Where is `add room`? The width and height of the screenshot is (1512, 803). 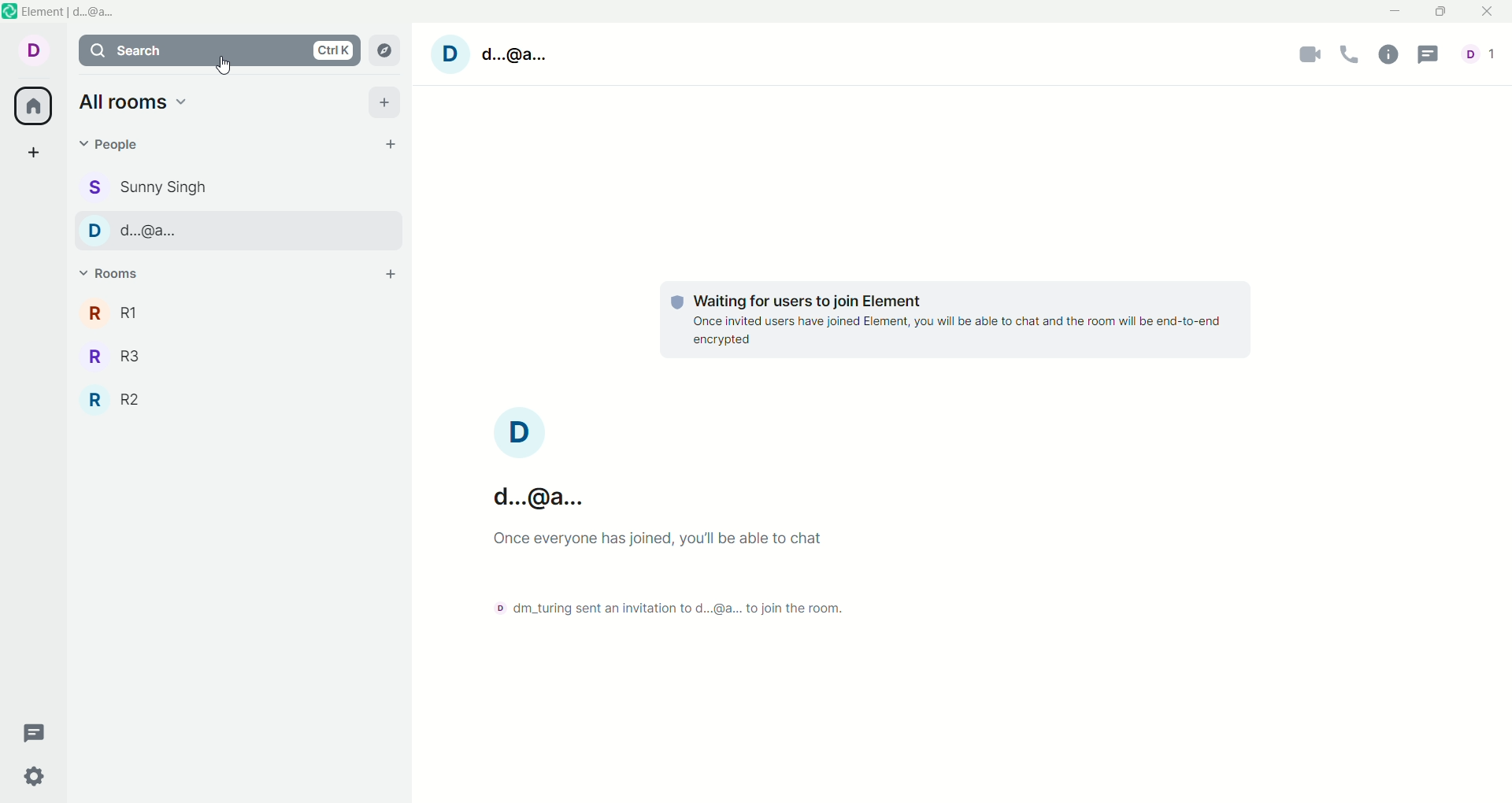
add room is located at coordinates (388, 276).